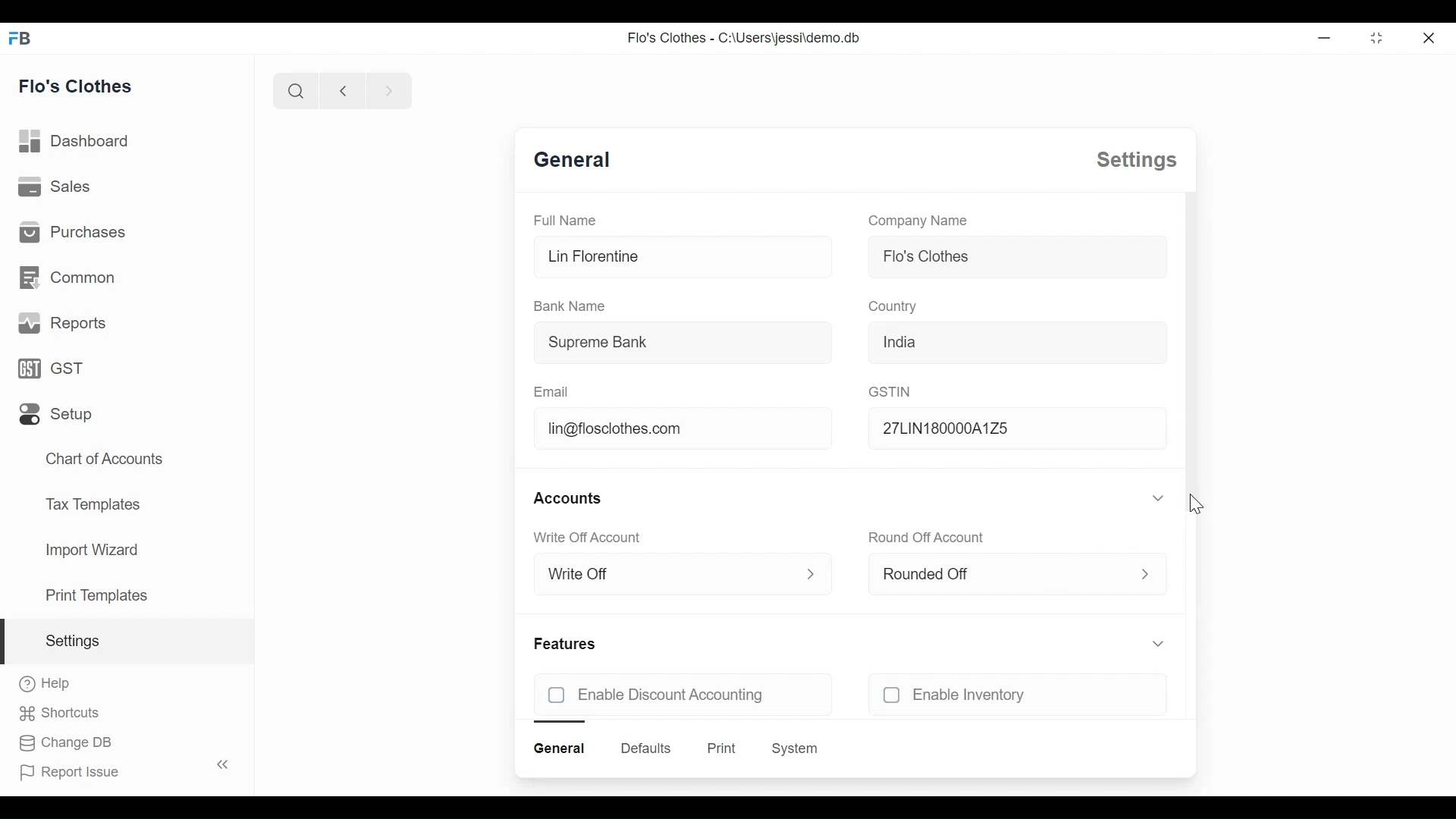 This screenshot has width=1456, height=819. I want to click on Flo's Clothes, so click(1013, 256).